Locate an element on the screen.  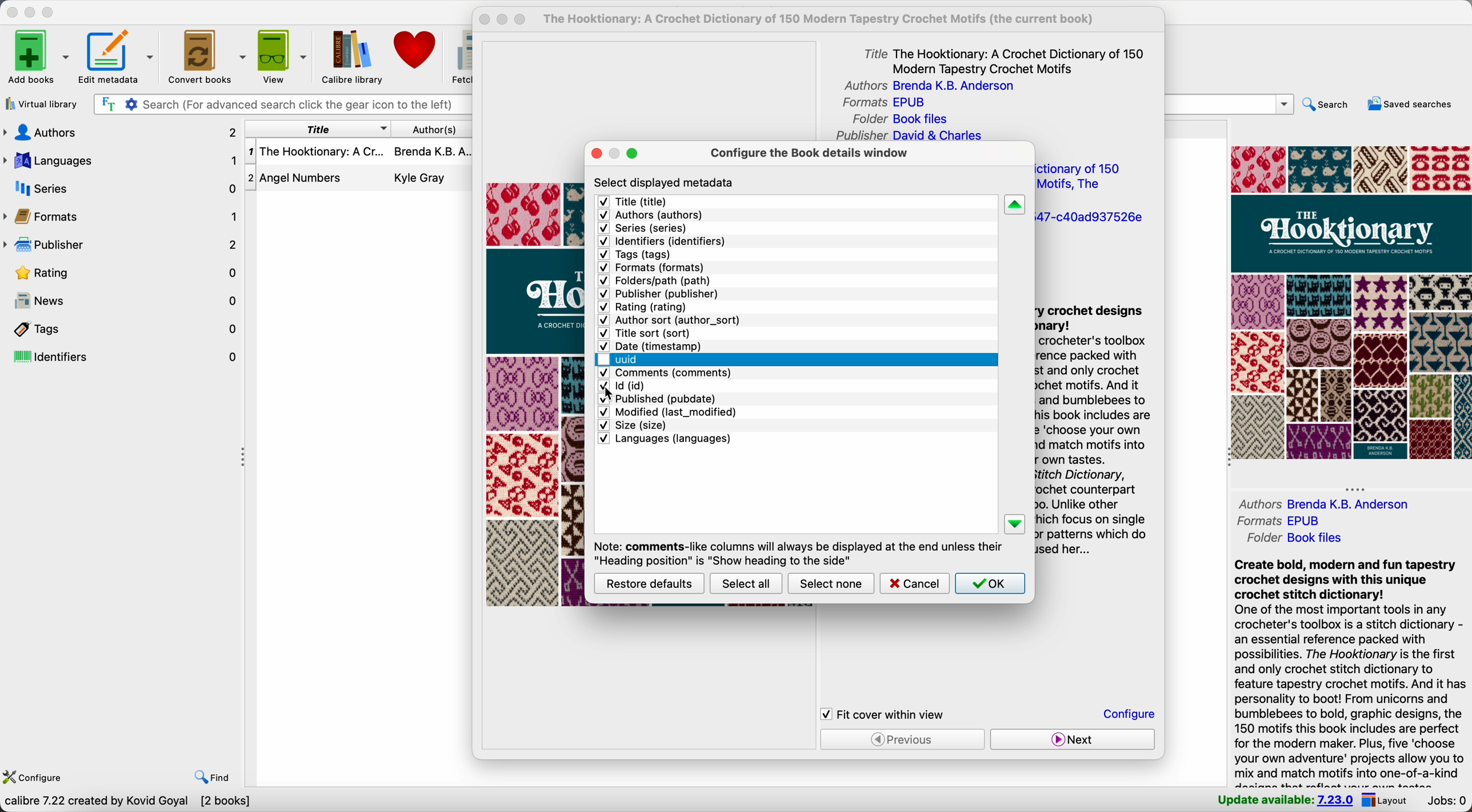
author(s) is located at coordinates (433, 129).